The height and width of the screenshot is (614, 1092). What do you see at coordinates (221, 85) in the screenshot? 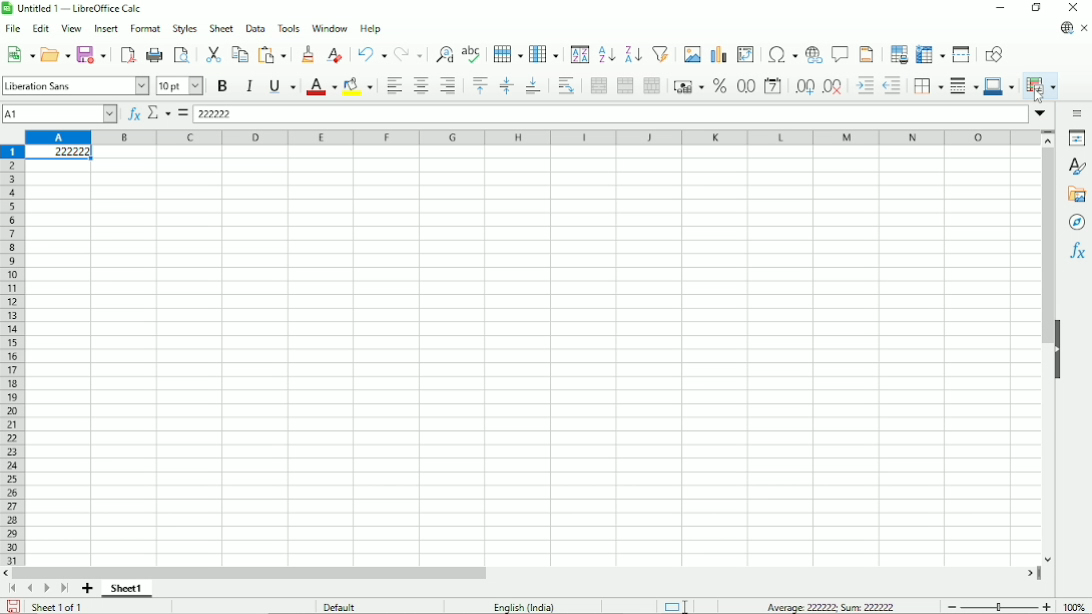
I see `Bold` at bounding box center [221, 85].